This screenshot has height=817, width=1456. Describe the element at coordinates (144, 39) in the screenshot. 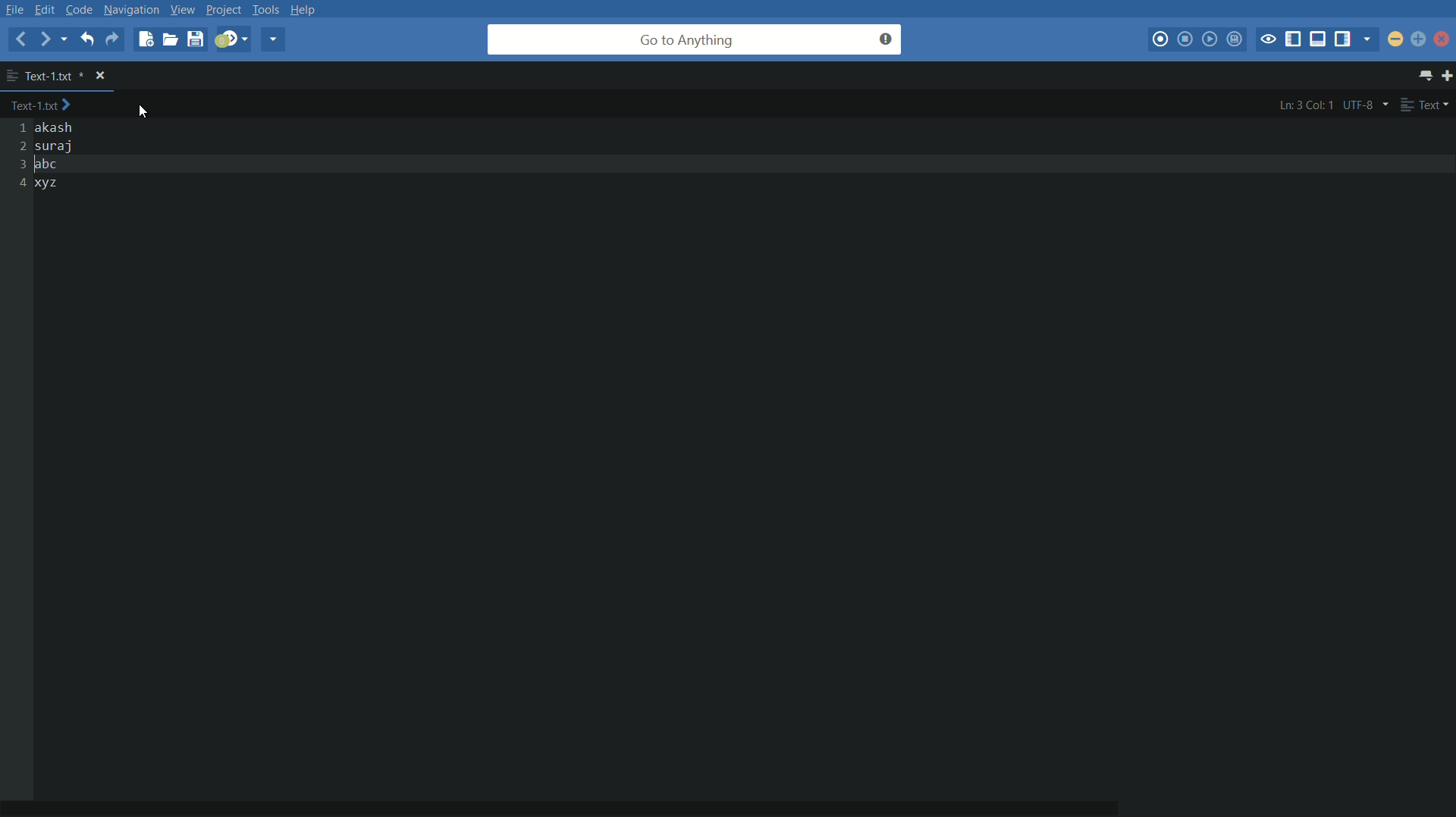

I see `new file` at that location.